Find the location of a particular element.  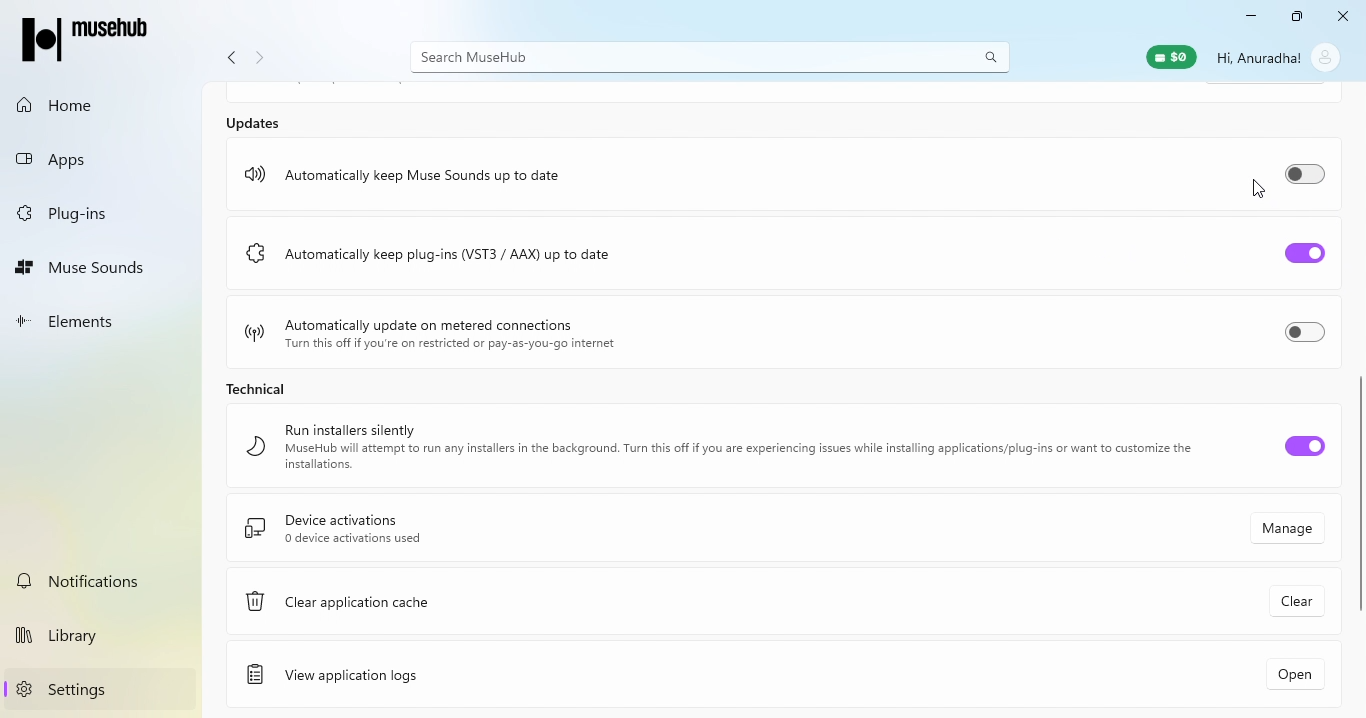

account is located at coordinates (1327, 57).